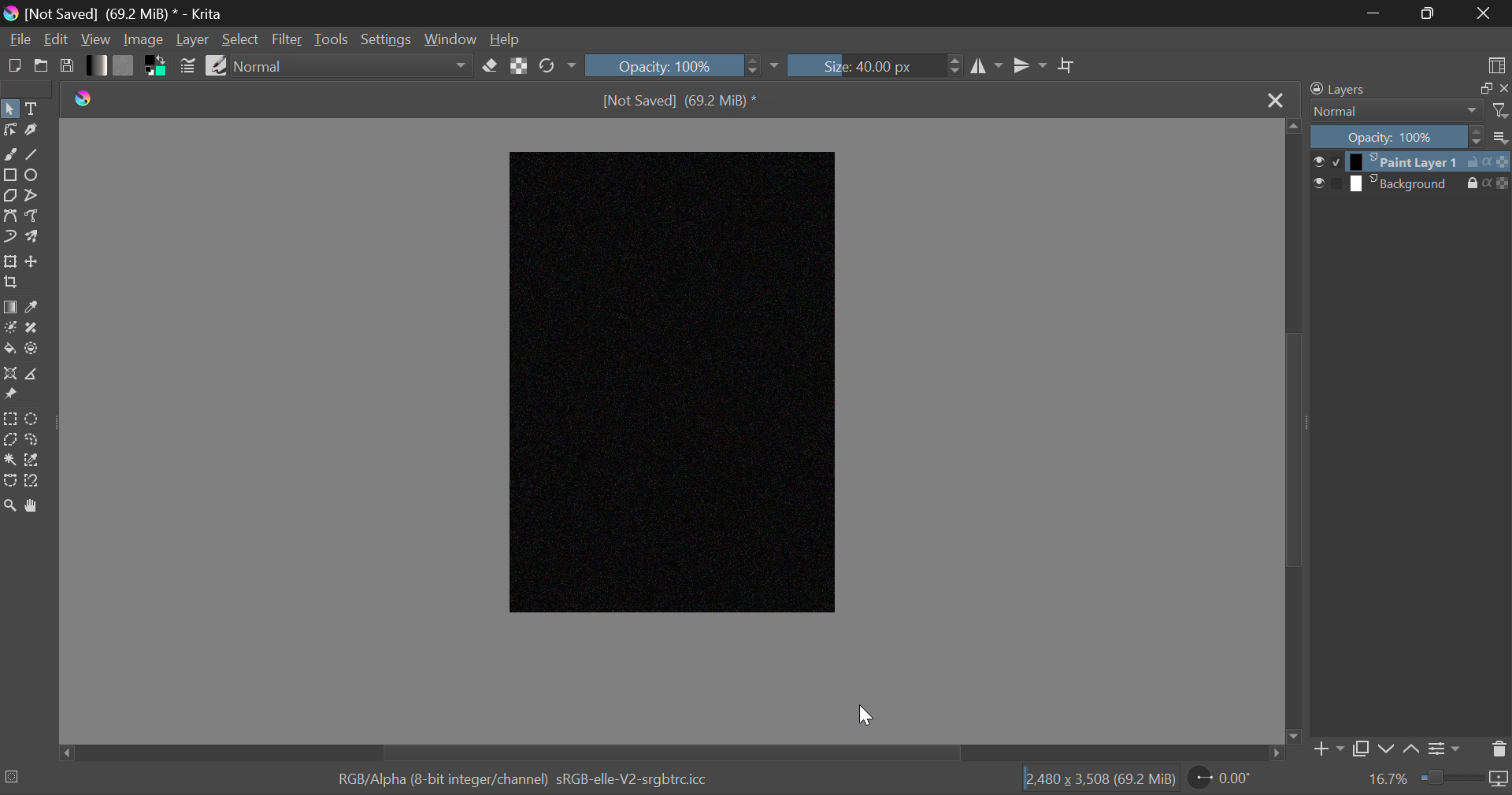  I want to click on move up, so click(1289, 124).